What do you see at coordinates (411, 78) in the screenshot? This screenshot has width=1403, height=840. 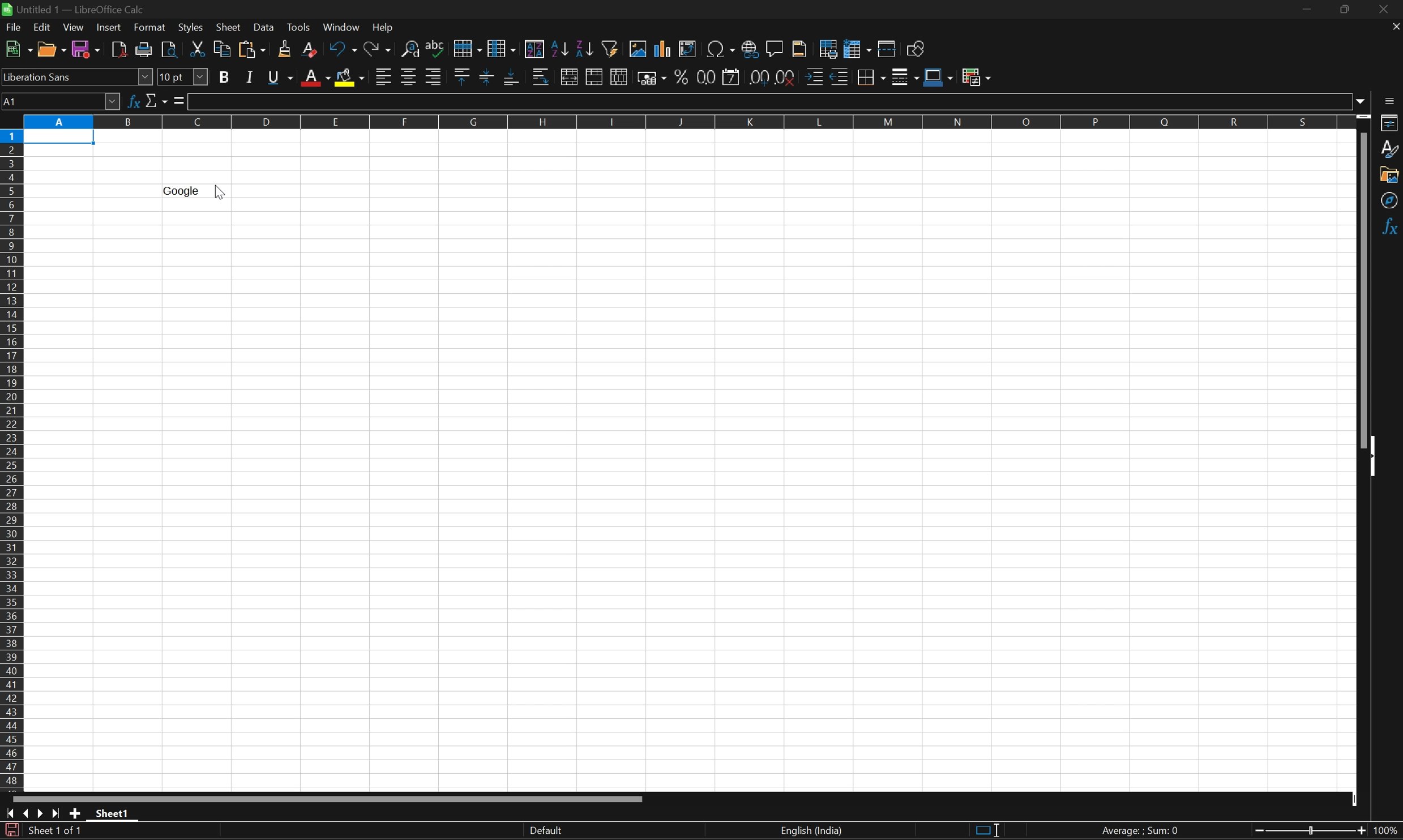 I see `Align center` at bounding box center [411, 78].